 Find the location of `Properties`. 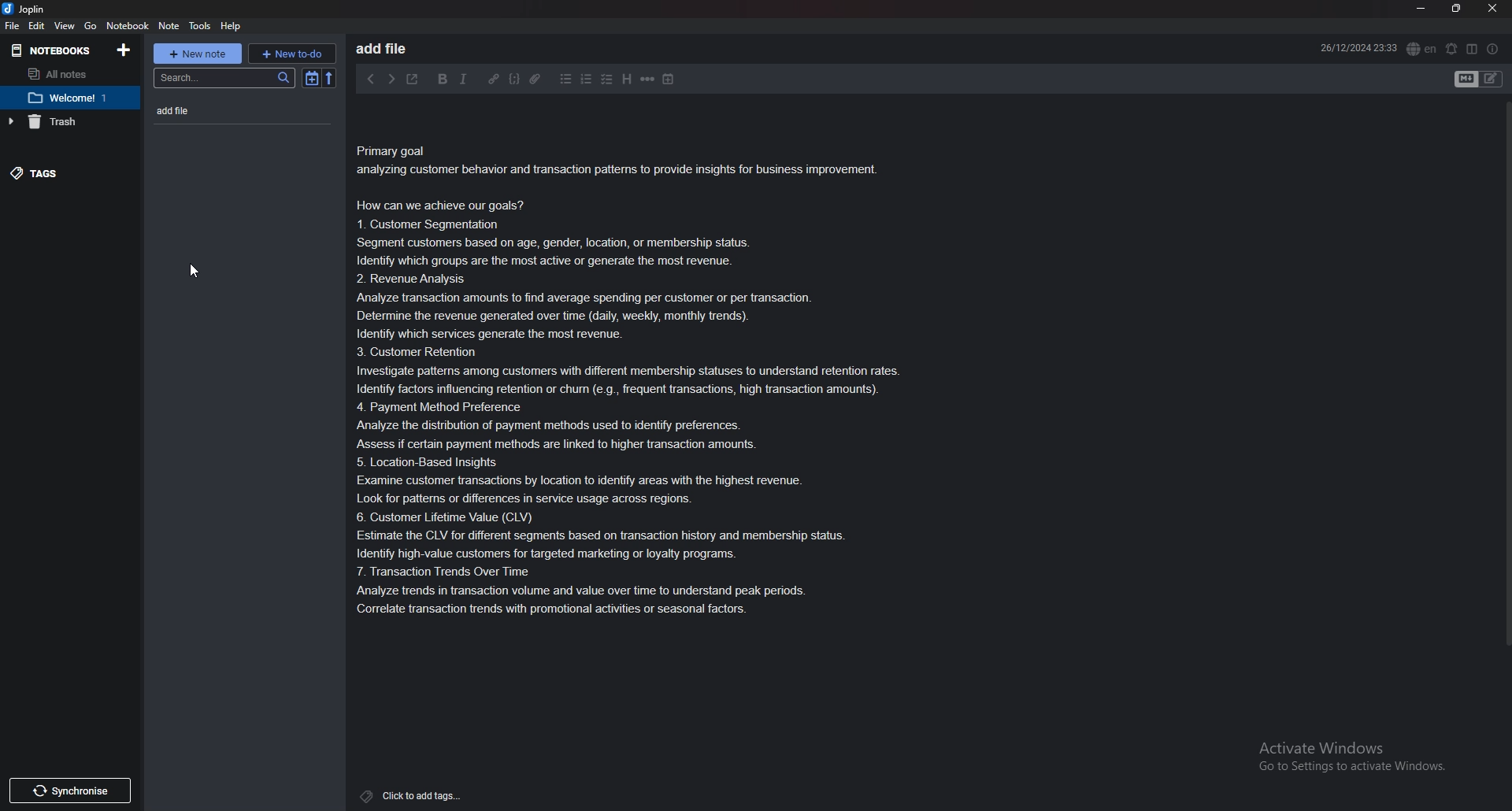

Properties is located at coordinates (1495, 48).